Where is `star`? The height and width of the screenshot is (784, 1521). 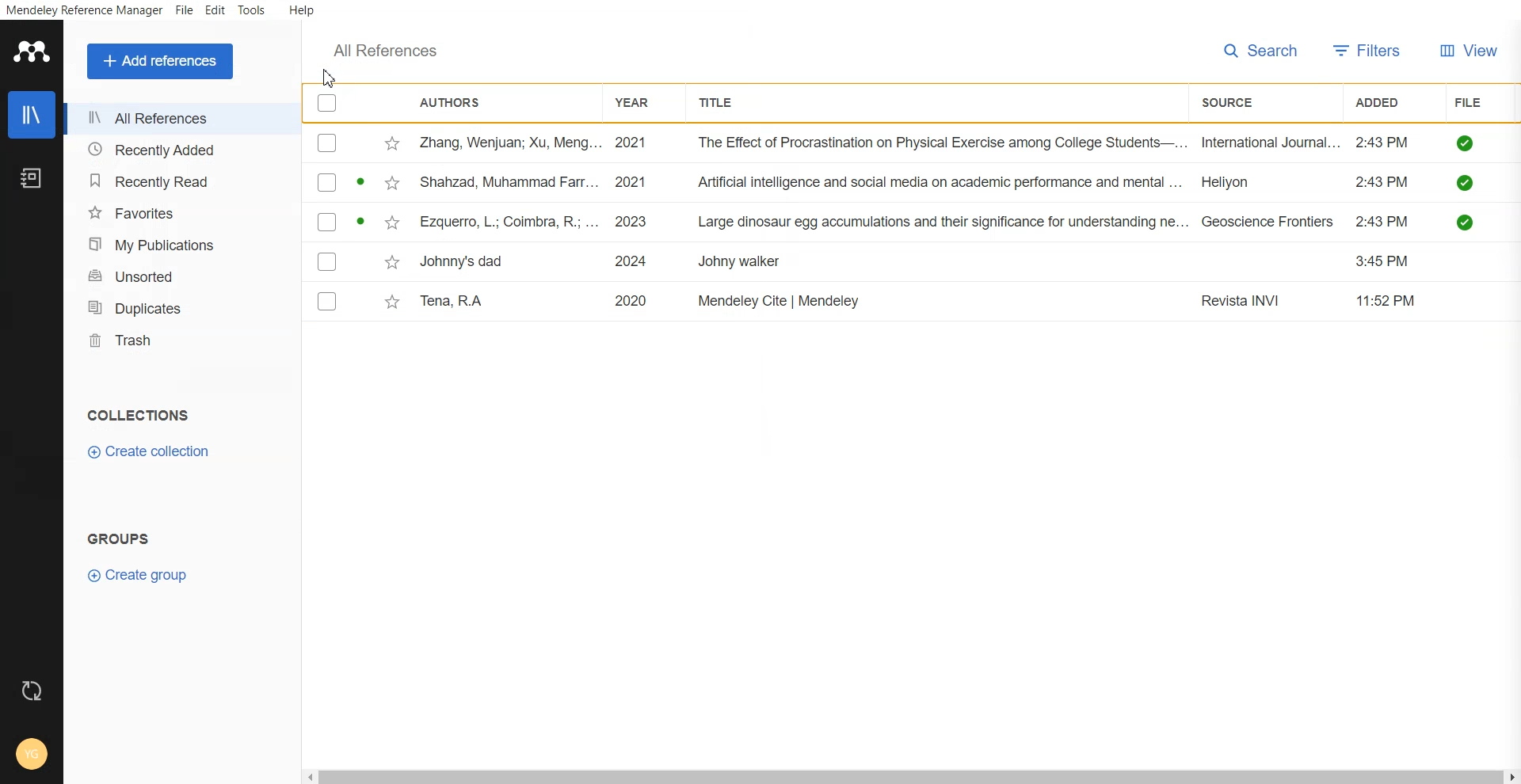
star is located at coordinates (391, 144).